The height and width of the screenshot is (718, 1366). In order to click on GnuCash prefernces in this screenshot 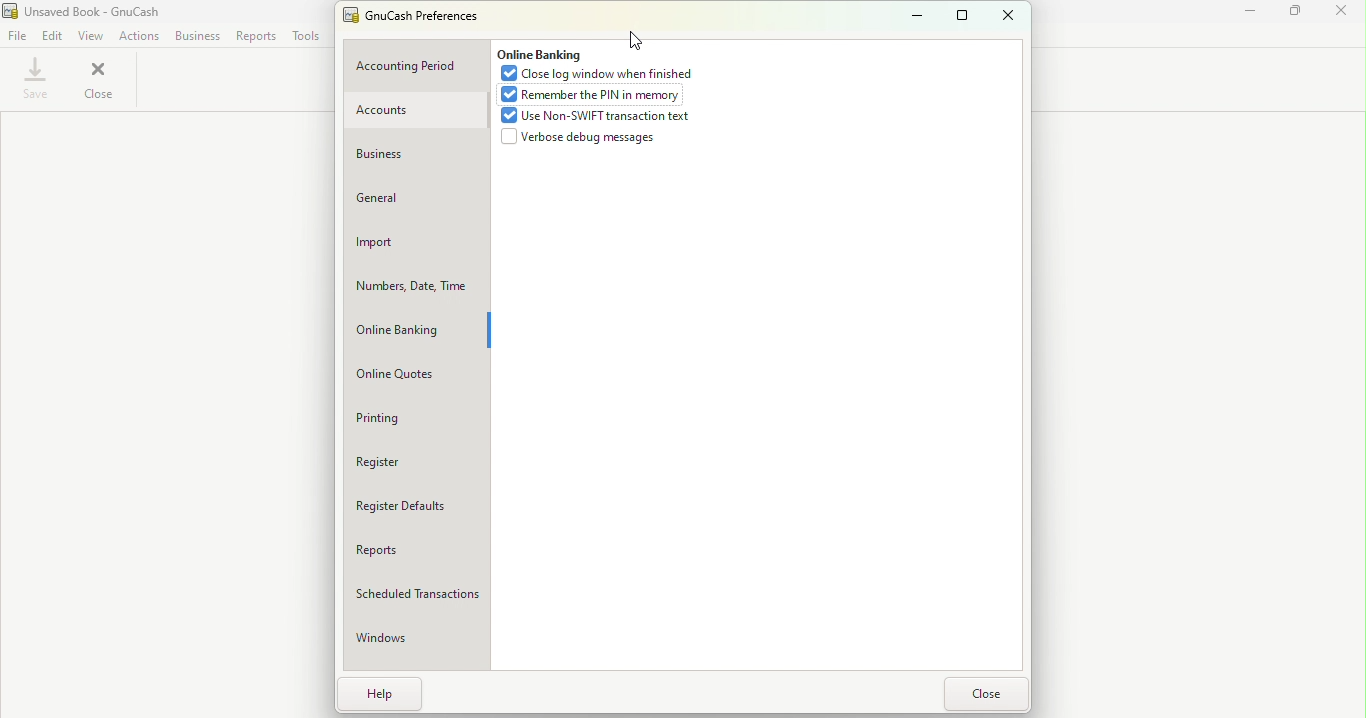, I will do `click(419, 17)`.